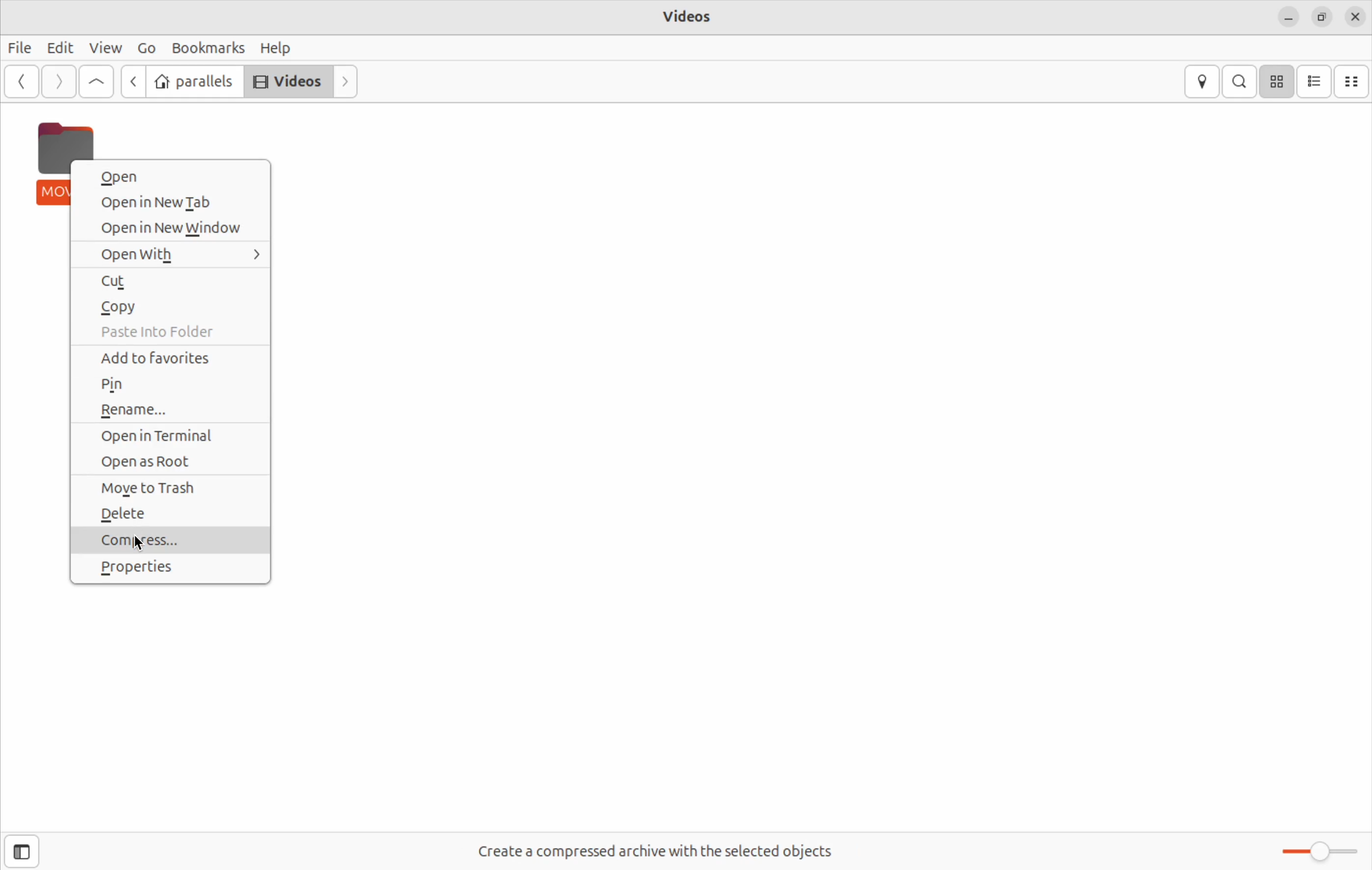 This screenshot has height=870, width=1372. Describe the element at coordinates (171, 358) in the screenshot. I see `add to favourites` at that location.